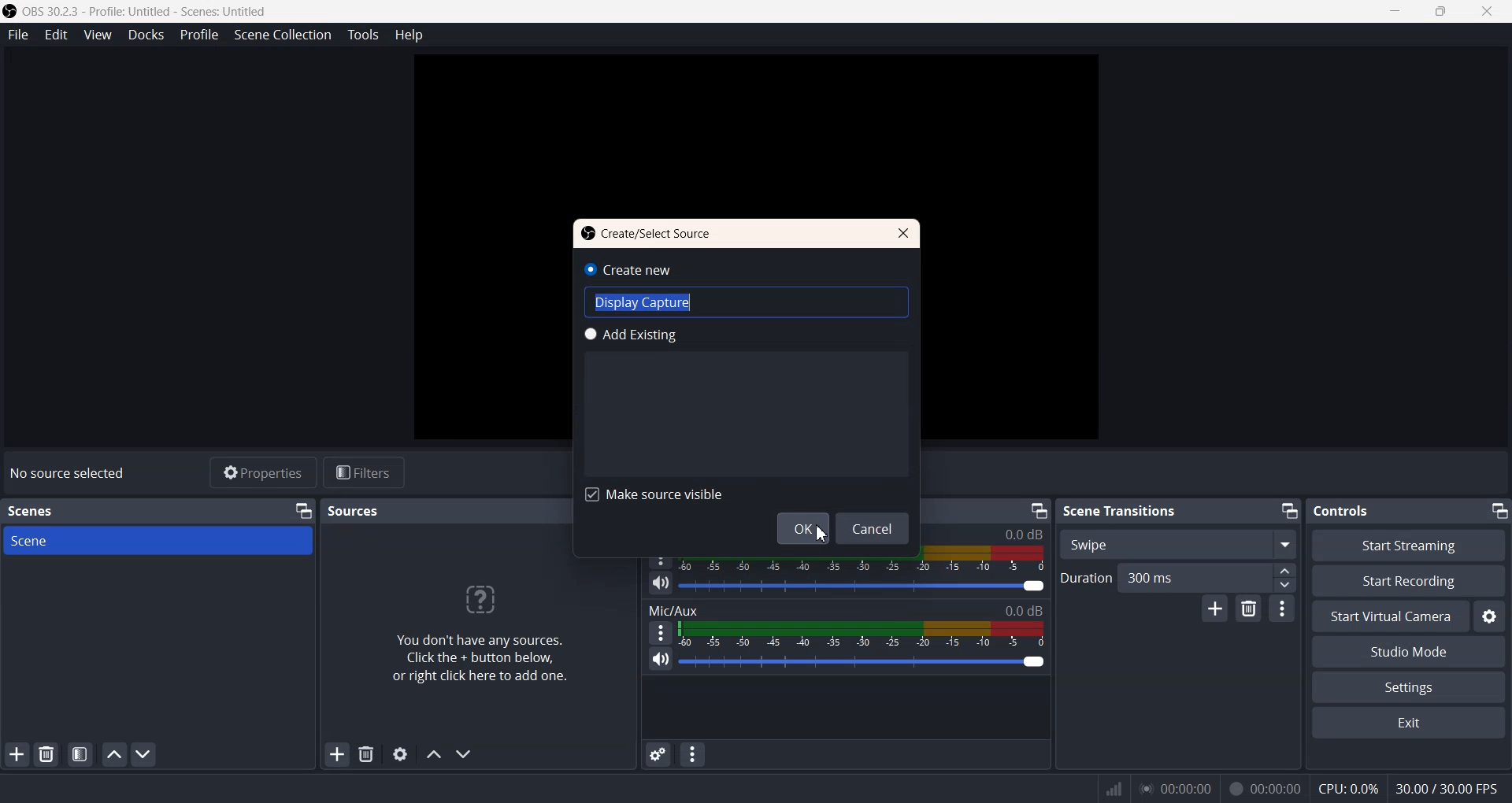  I want to click on 30.00/30.000 FPS, so click(1444, 788).